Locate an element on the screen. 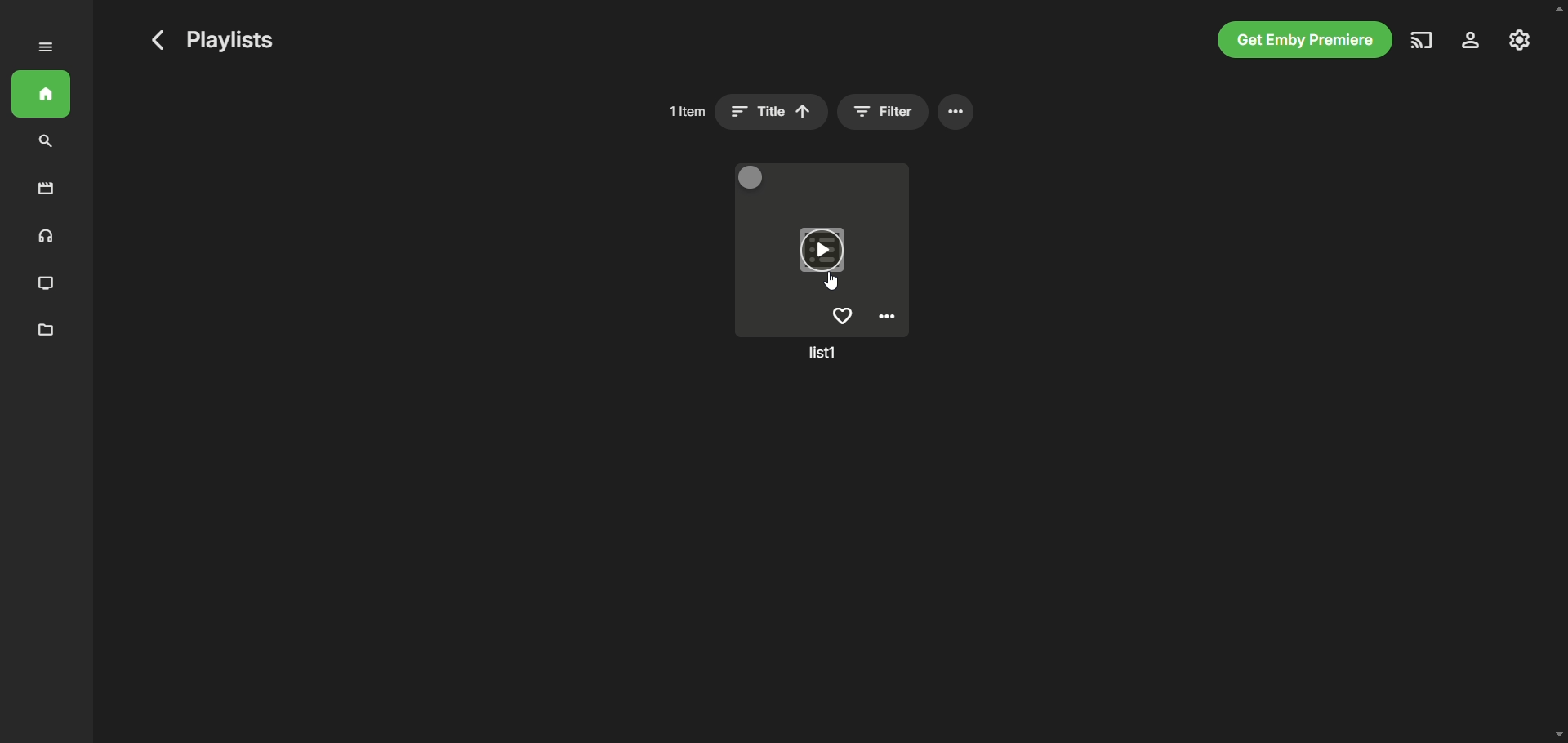 The height and width of the screenshot is (743, 1568). get emby premiere is located at coordinates (1305, 39).